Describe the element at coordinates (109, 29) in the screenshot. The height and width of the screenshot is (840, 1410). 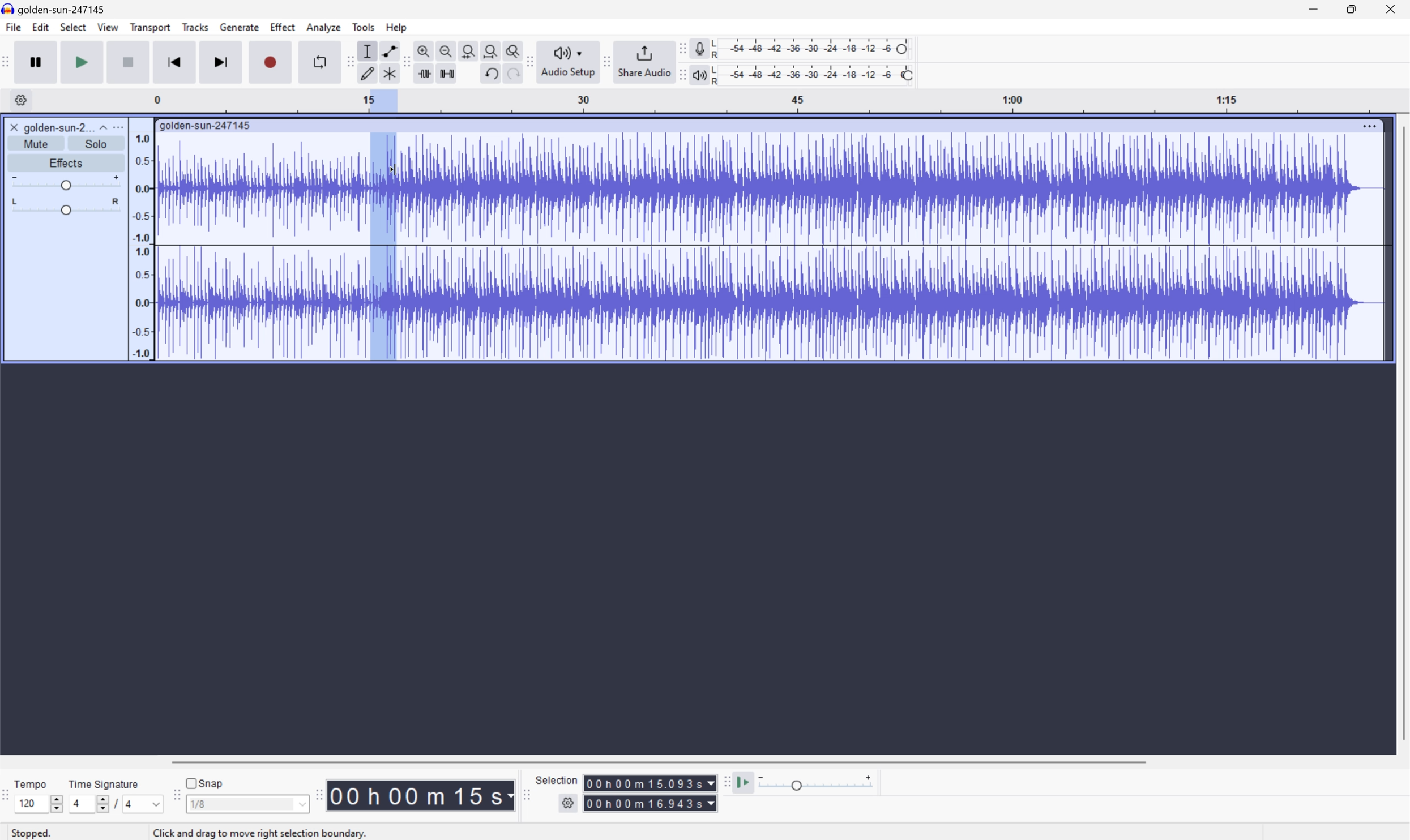
I see `View` at that location.